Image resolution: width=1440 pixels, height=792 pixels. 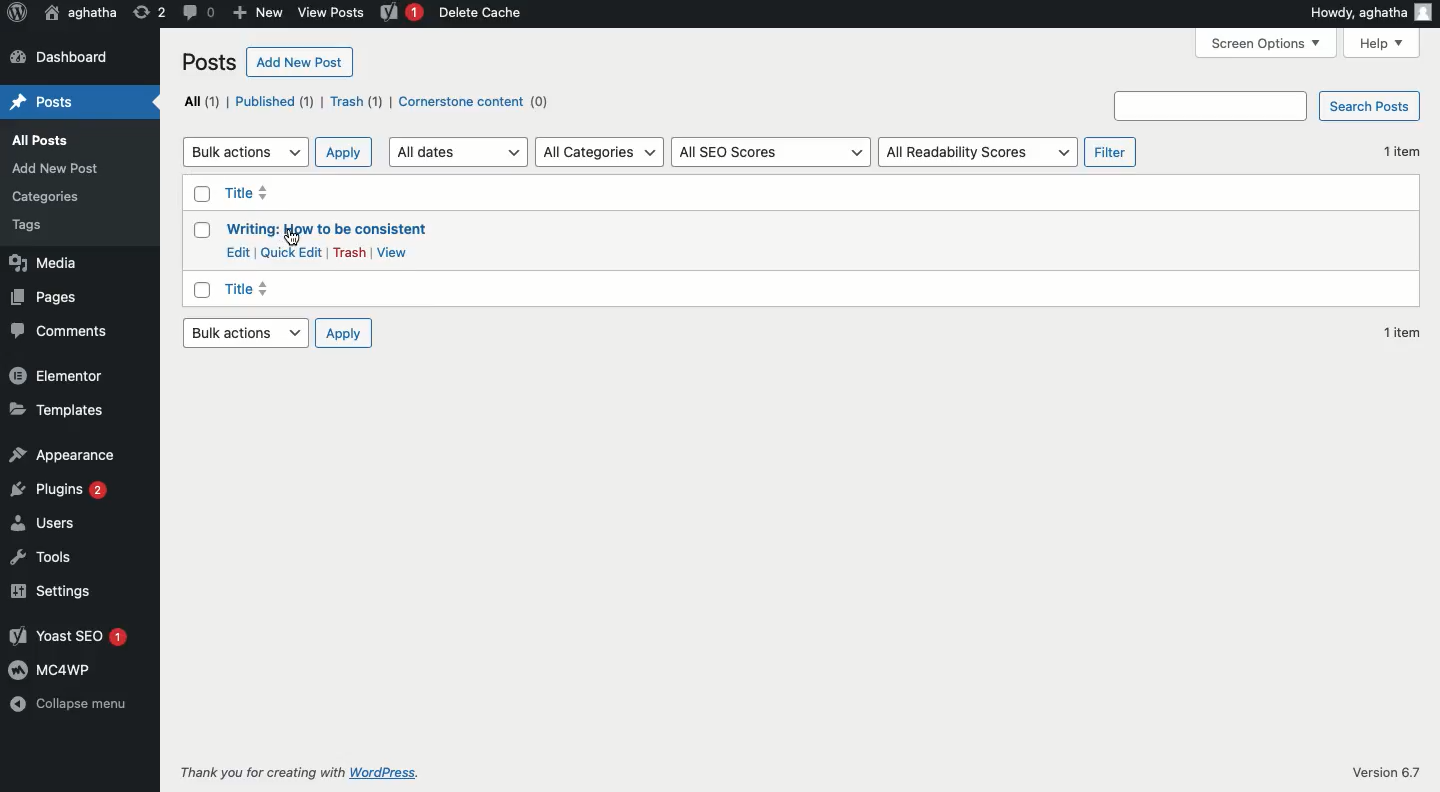 What do you see at coordinates (298, 62) in the screenshot?
I see `Add new post` at bounding box center [298, 62].